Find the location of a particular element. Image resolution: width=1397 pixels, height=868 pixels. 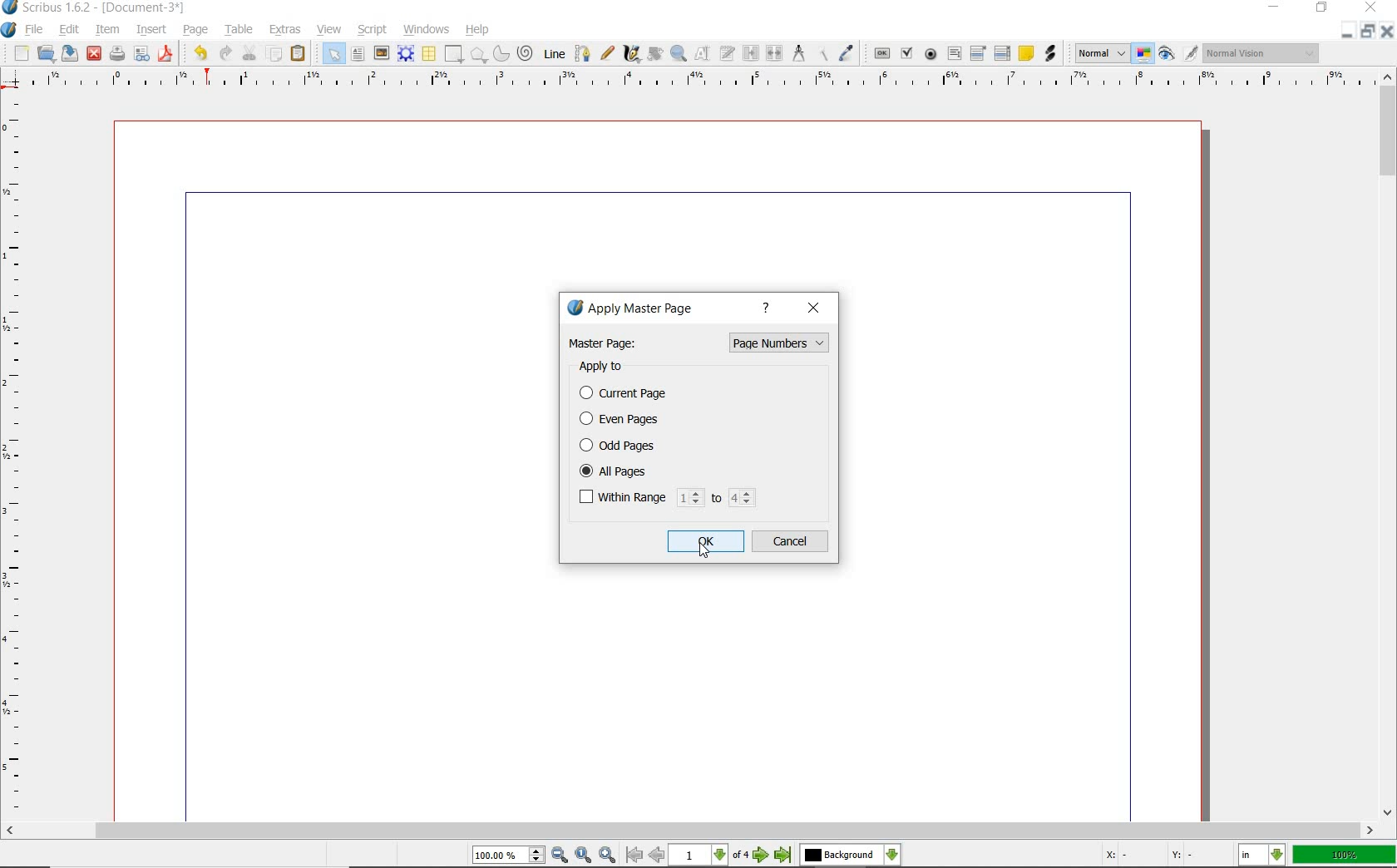

link annotation is located at coordinates (1050, 53).